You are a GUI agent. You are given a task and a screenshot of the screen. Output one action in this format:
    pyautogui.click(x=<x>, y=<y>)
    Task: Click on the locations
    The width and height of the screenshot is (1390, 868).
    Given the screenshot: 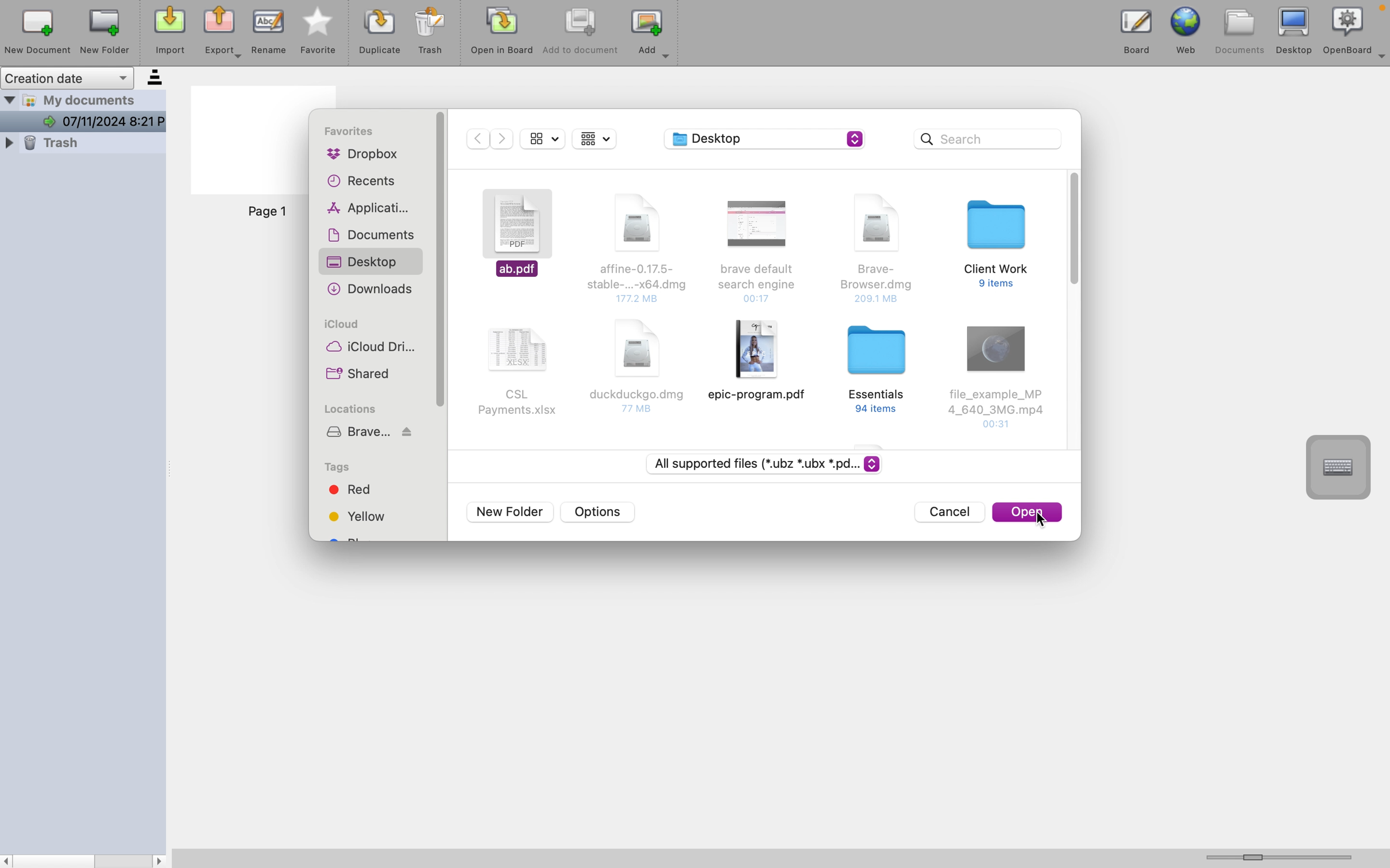 What is the action you would take?
    pyautogui.click(x=354, y=408)
    